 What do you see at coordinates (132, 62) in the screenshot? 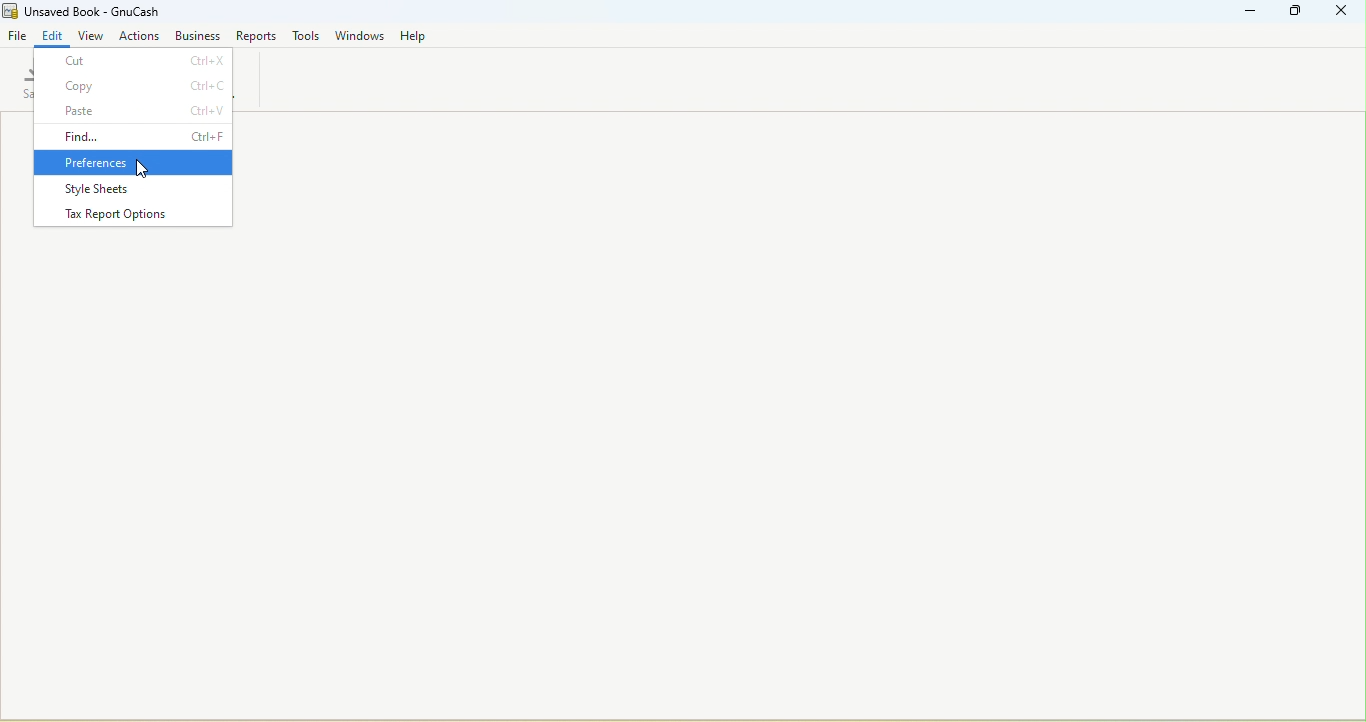
I see `Cut` at bounding box center [132, 62].